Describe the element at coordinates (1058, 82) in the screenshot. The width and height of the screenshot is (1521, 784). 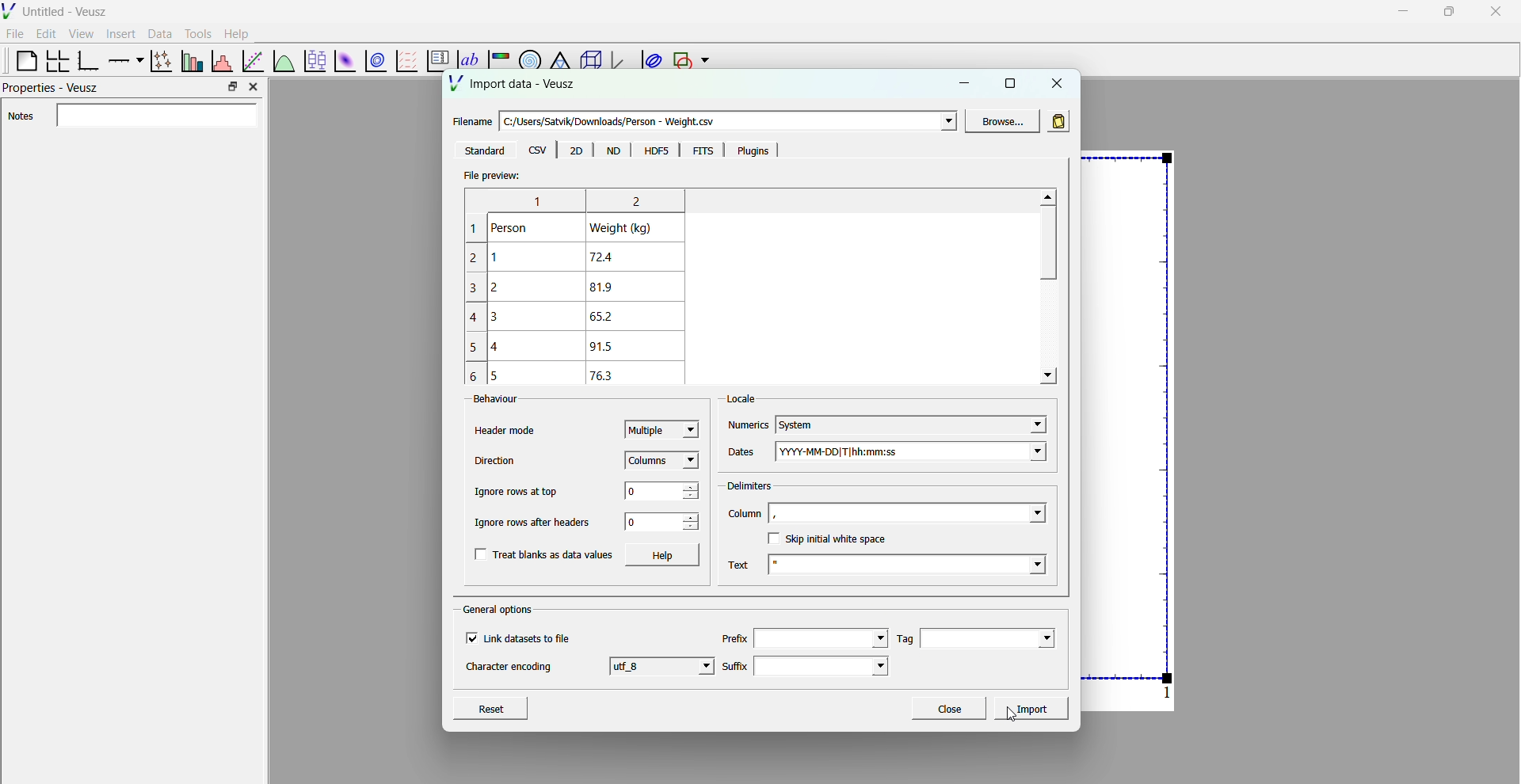
I see `close` at that location.